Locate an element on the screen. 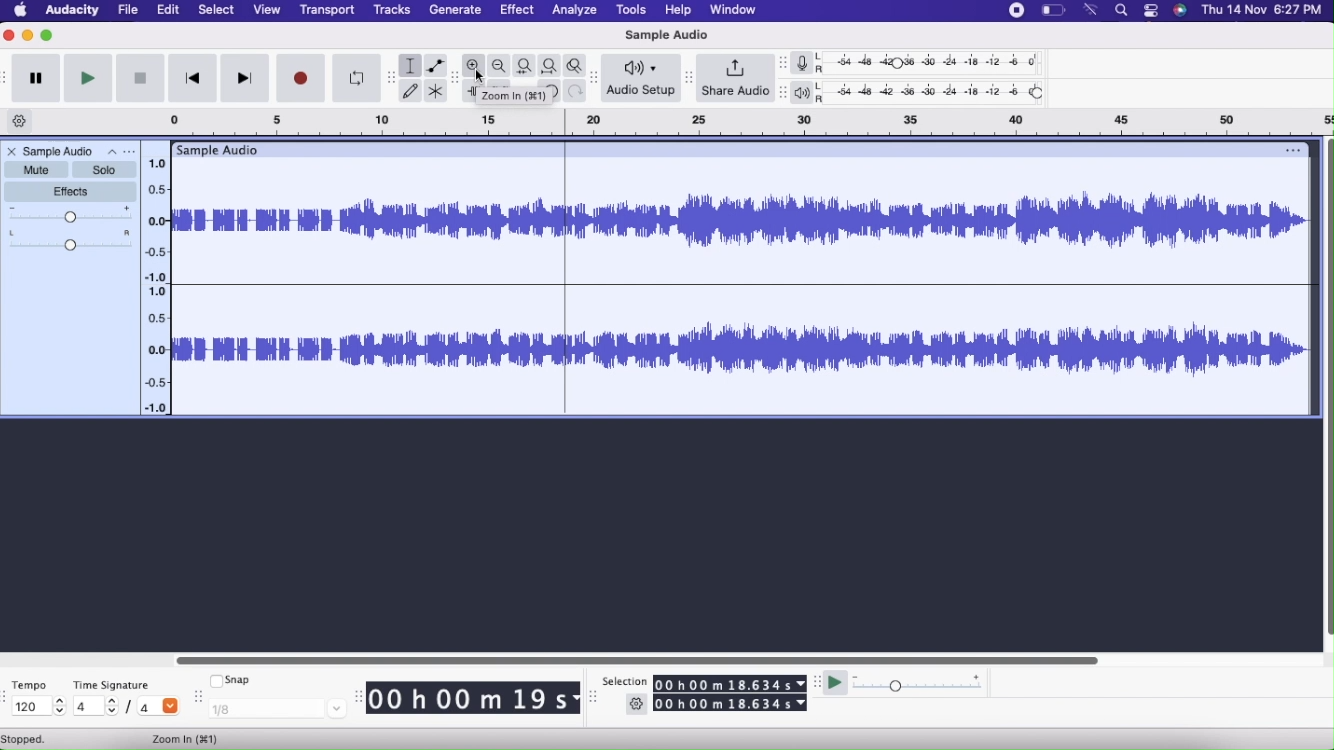  resize is located at coordinates (197, 699).